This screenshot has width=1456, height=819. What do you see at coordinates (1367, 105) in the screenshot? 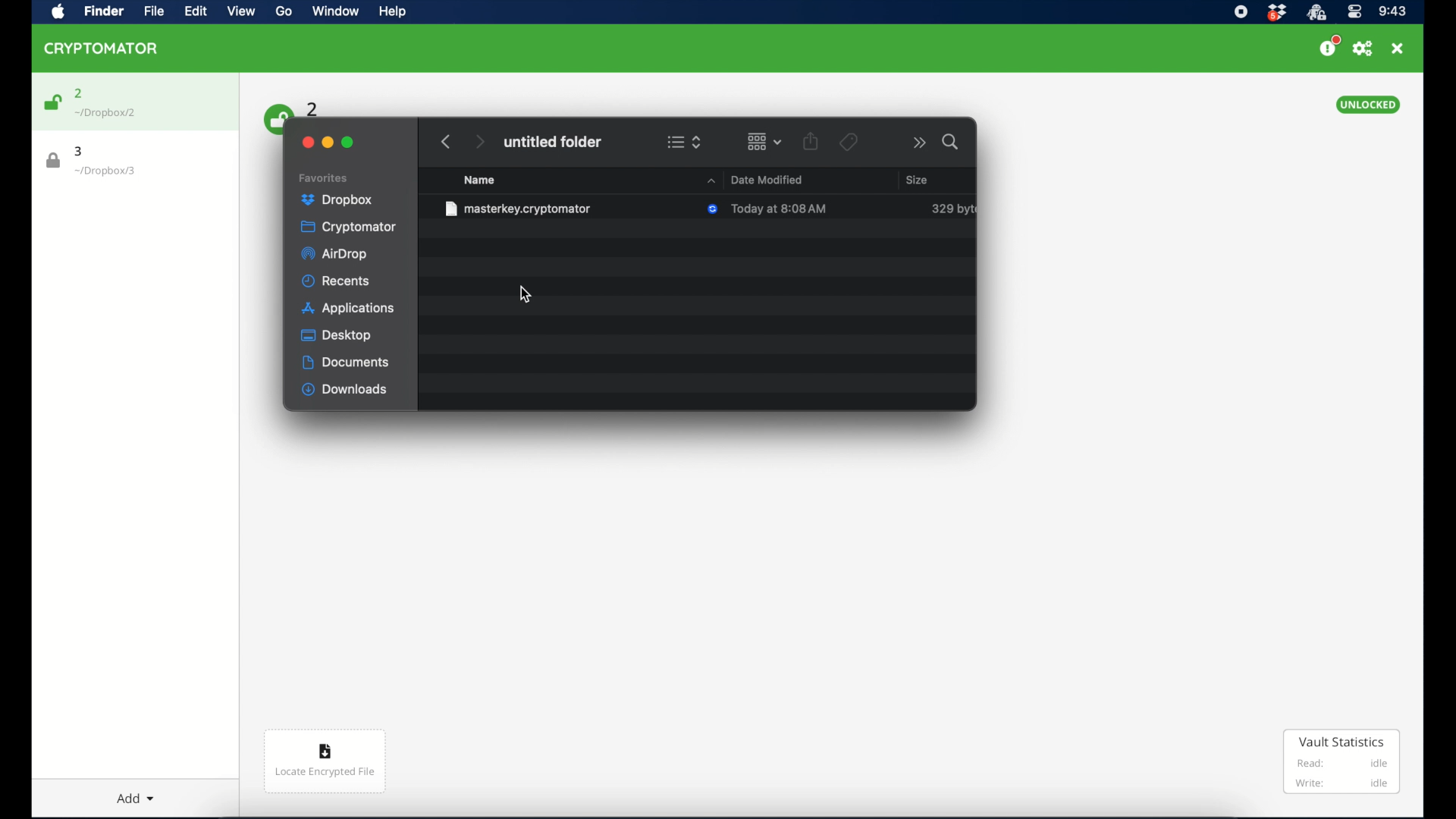
I see `unlocked` at bounding box center [1367, 105].